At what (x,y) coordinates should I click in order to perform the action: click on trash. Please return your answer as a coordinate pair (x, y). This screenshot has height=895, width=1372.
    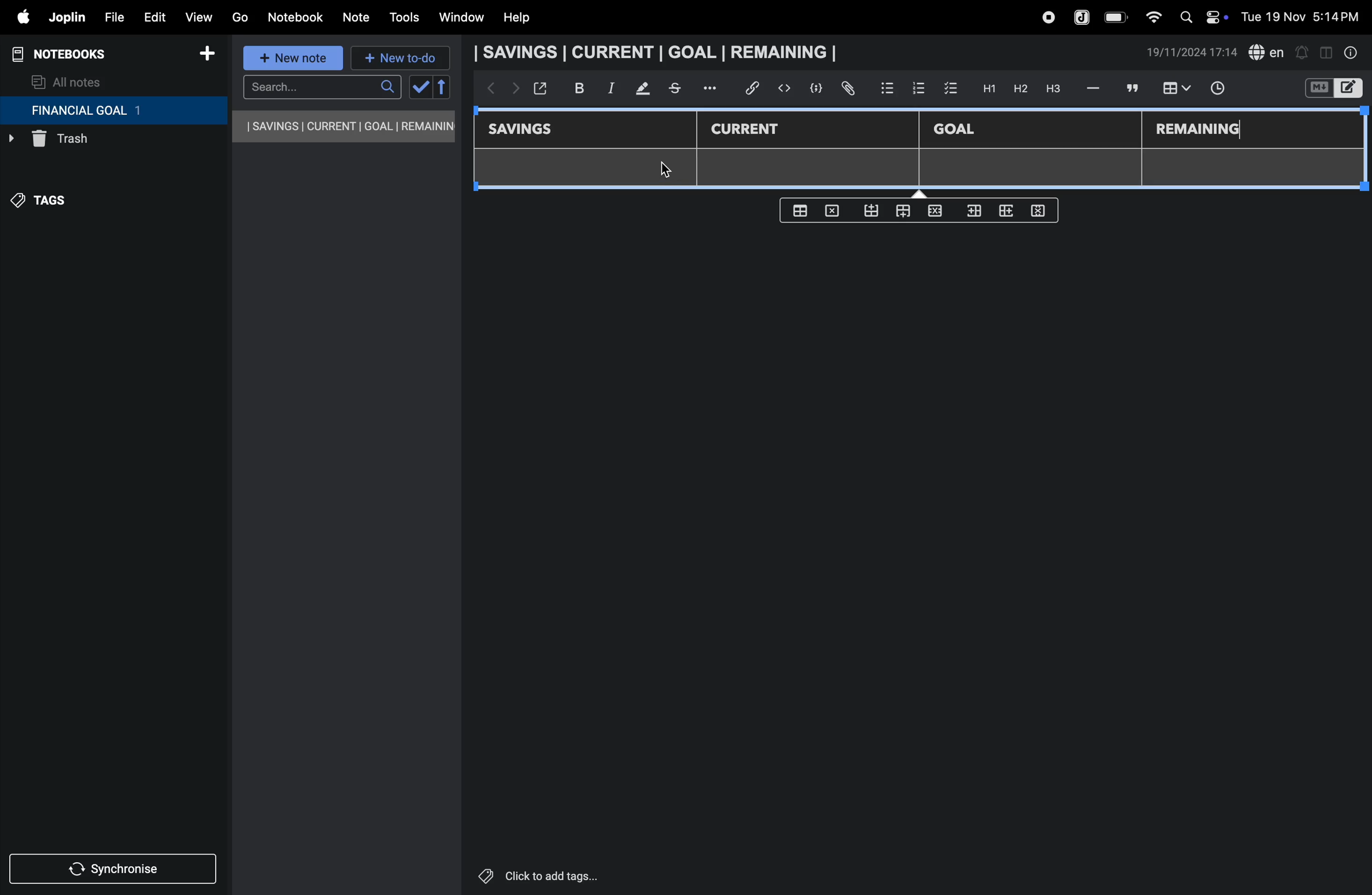
    Looking at the image, I should click on (89, 142).